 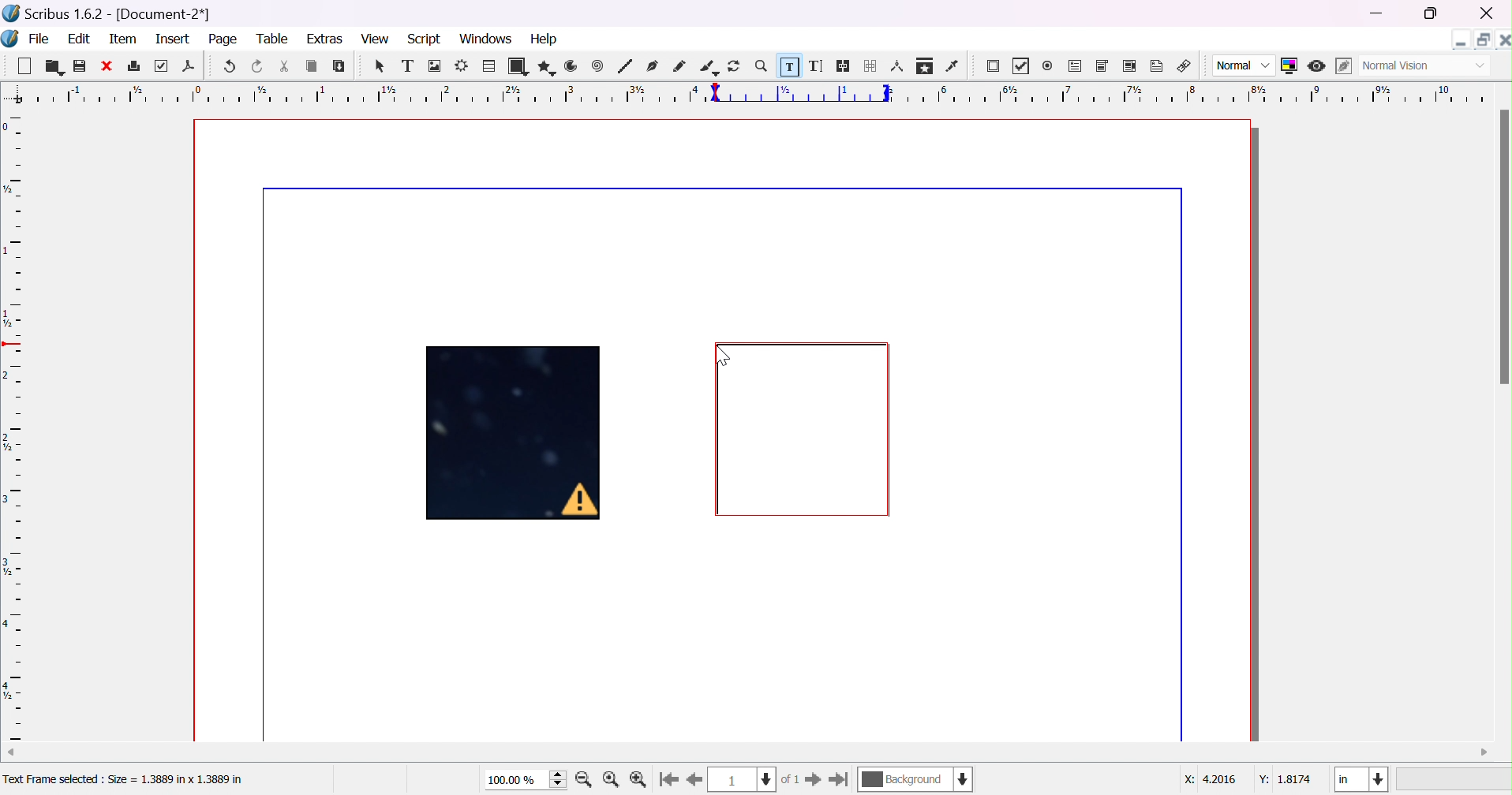 What do you see at coordinates (485, 40) in the screenshot?
I see `windows` at bounding box center [485, 40].